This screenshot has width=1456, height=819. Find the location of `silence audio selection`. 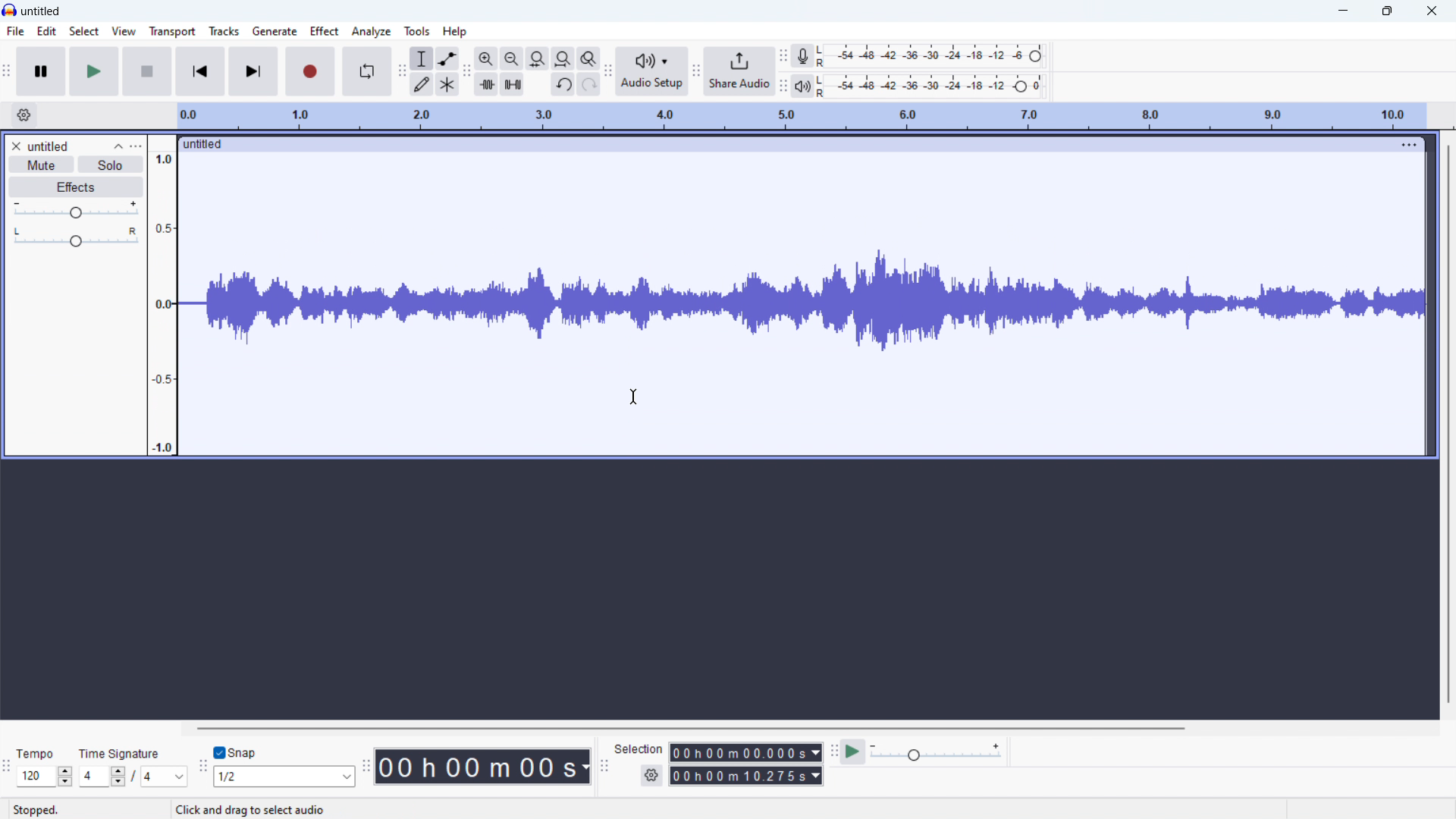

silence audio selection is located at coordinates (512, 84).